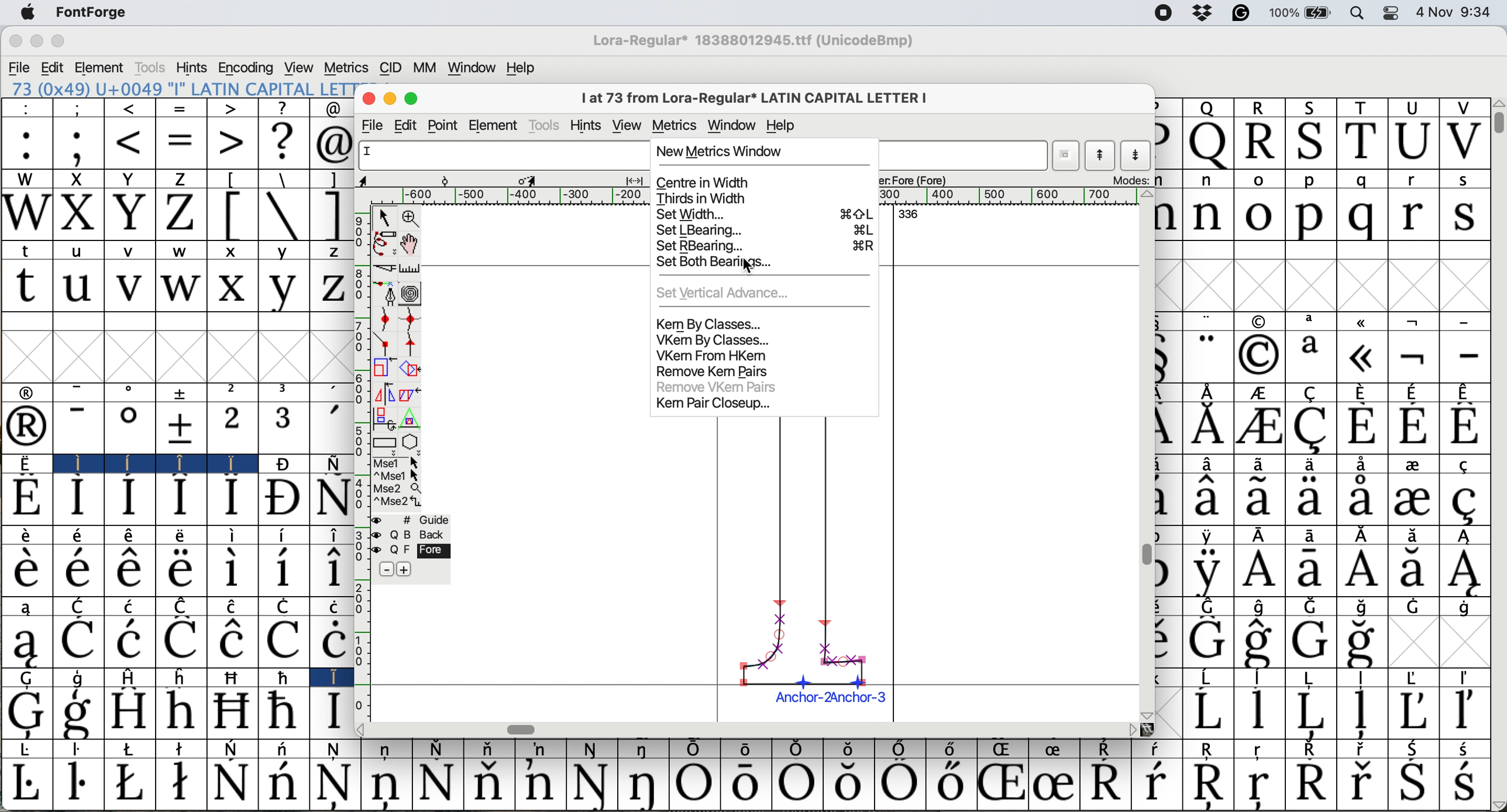 This screenshot has height=812, width=1507. Describe the element at coordinates (1467, 748) in the screenshot. I see `Symbol` at that location.